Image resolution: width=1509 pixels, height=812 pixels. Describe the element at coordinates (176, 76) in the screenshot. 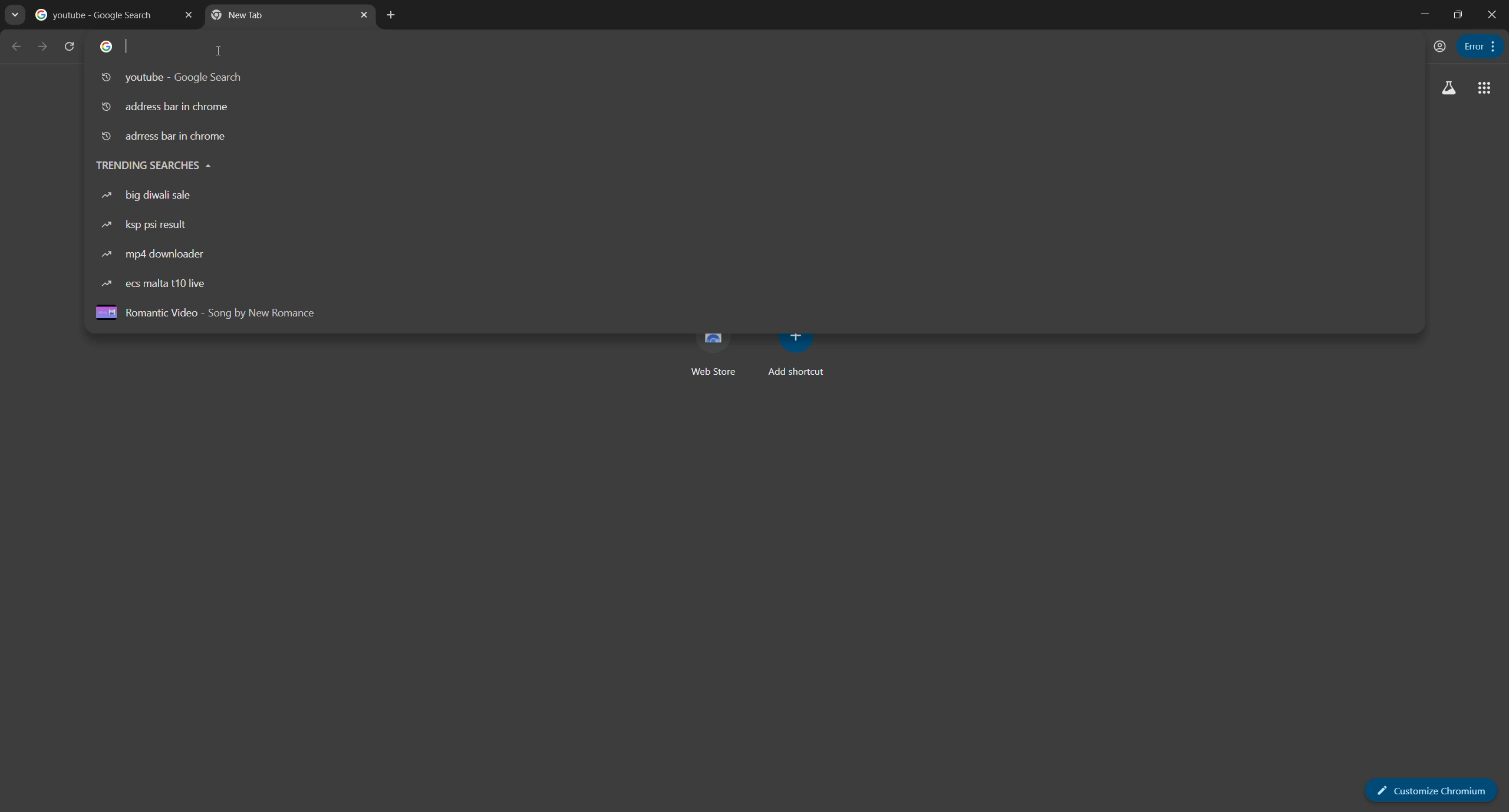

I see `youtube google search` at that location.